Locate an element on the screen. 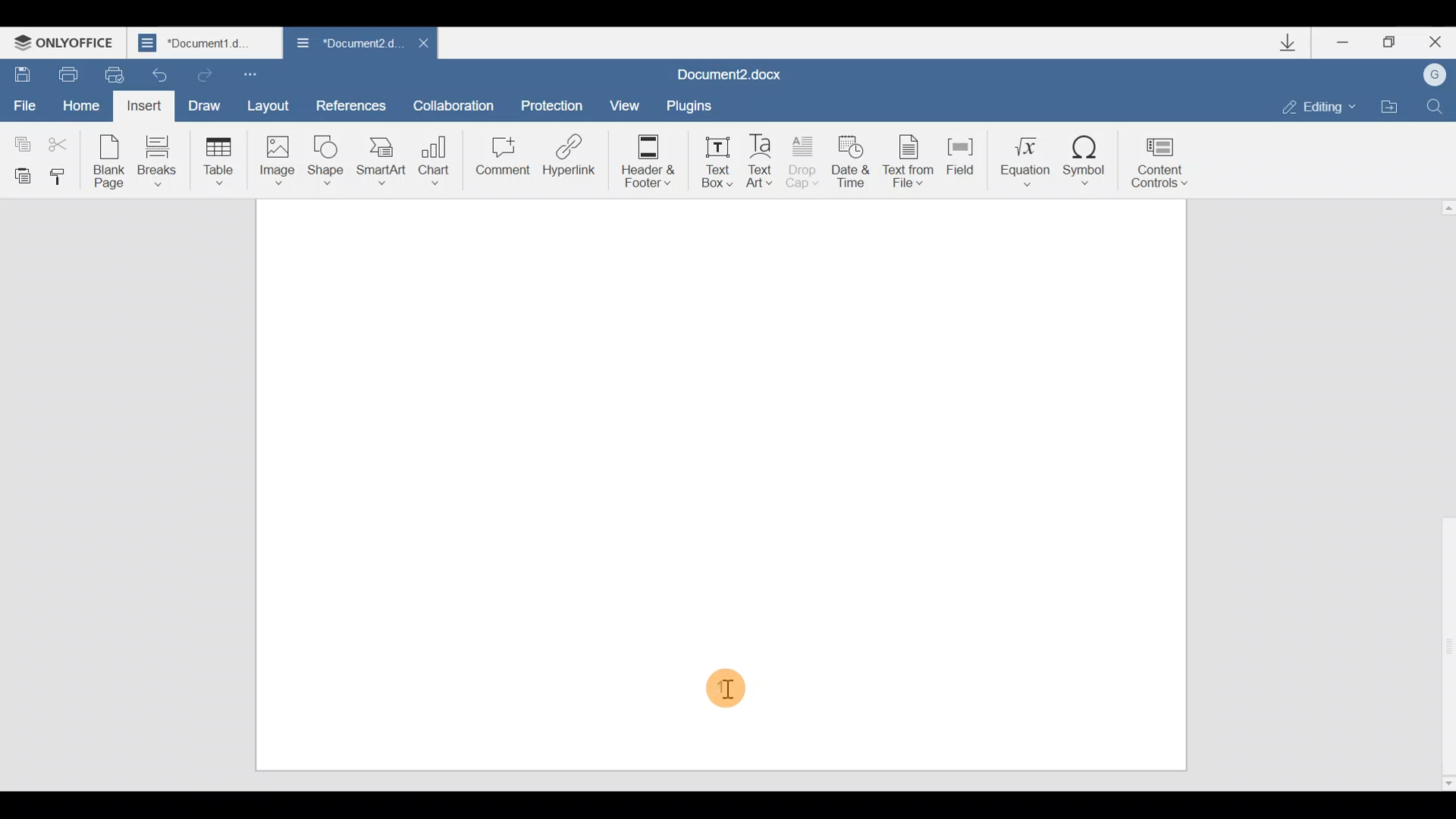 The image size is (1456, 819). Redo is located at coordinates (206, 77).